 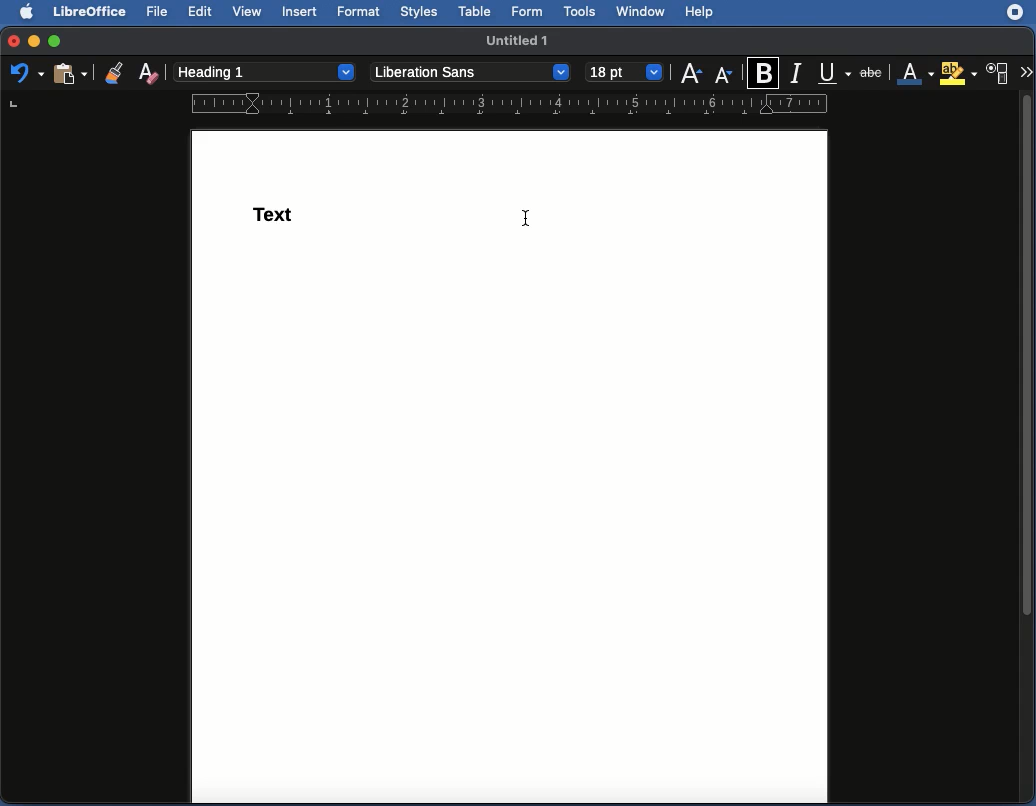 What do you see at coordinates (159, 12) in the screenshot?
I see `File` at bounding box center [159, 12].